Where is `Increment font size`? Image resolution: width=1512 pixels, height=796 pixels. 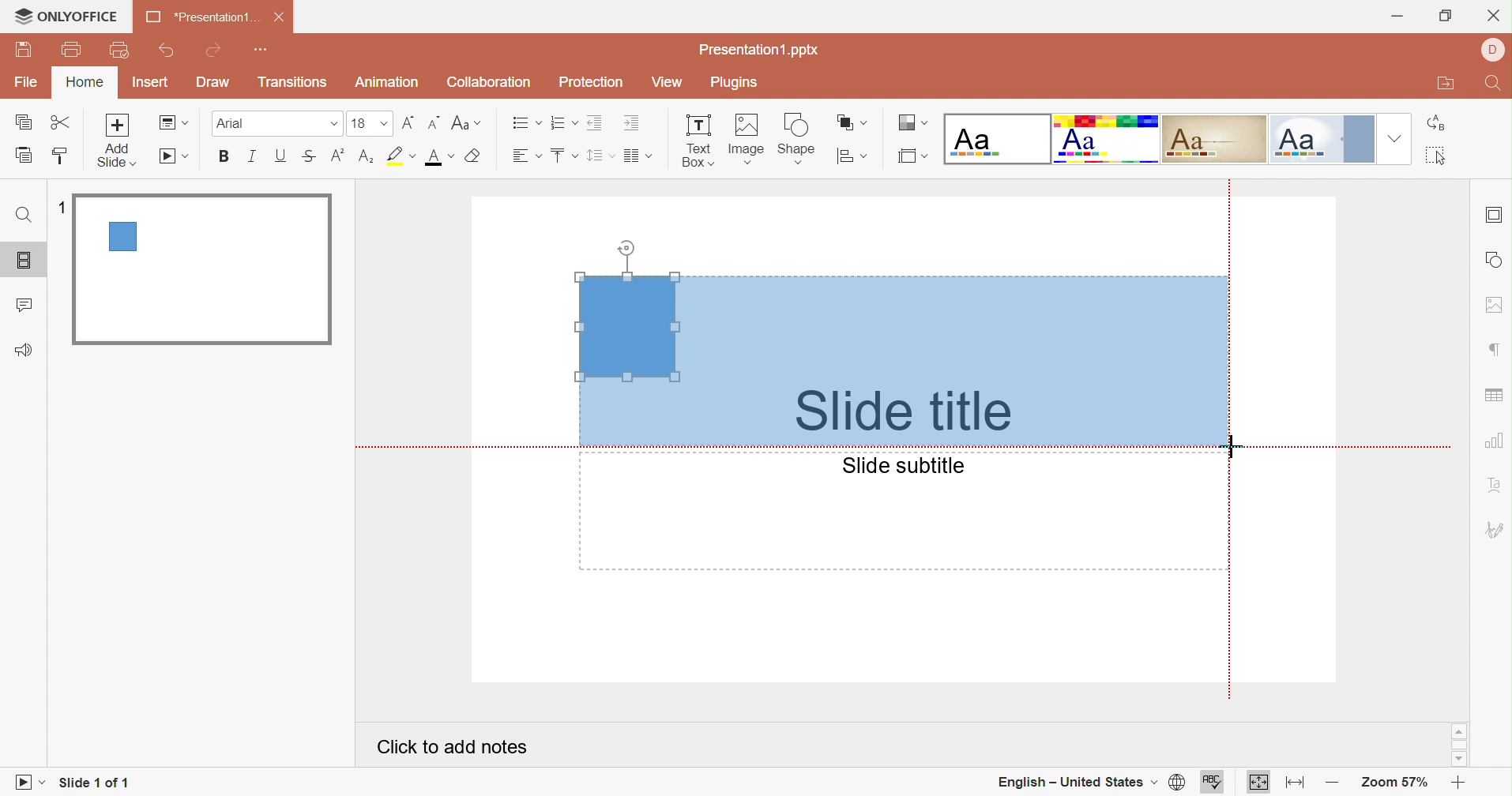
Increment font size is located at coordinates (408, 125).